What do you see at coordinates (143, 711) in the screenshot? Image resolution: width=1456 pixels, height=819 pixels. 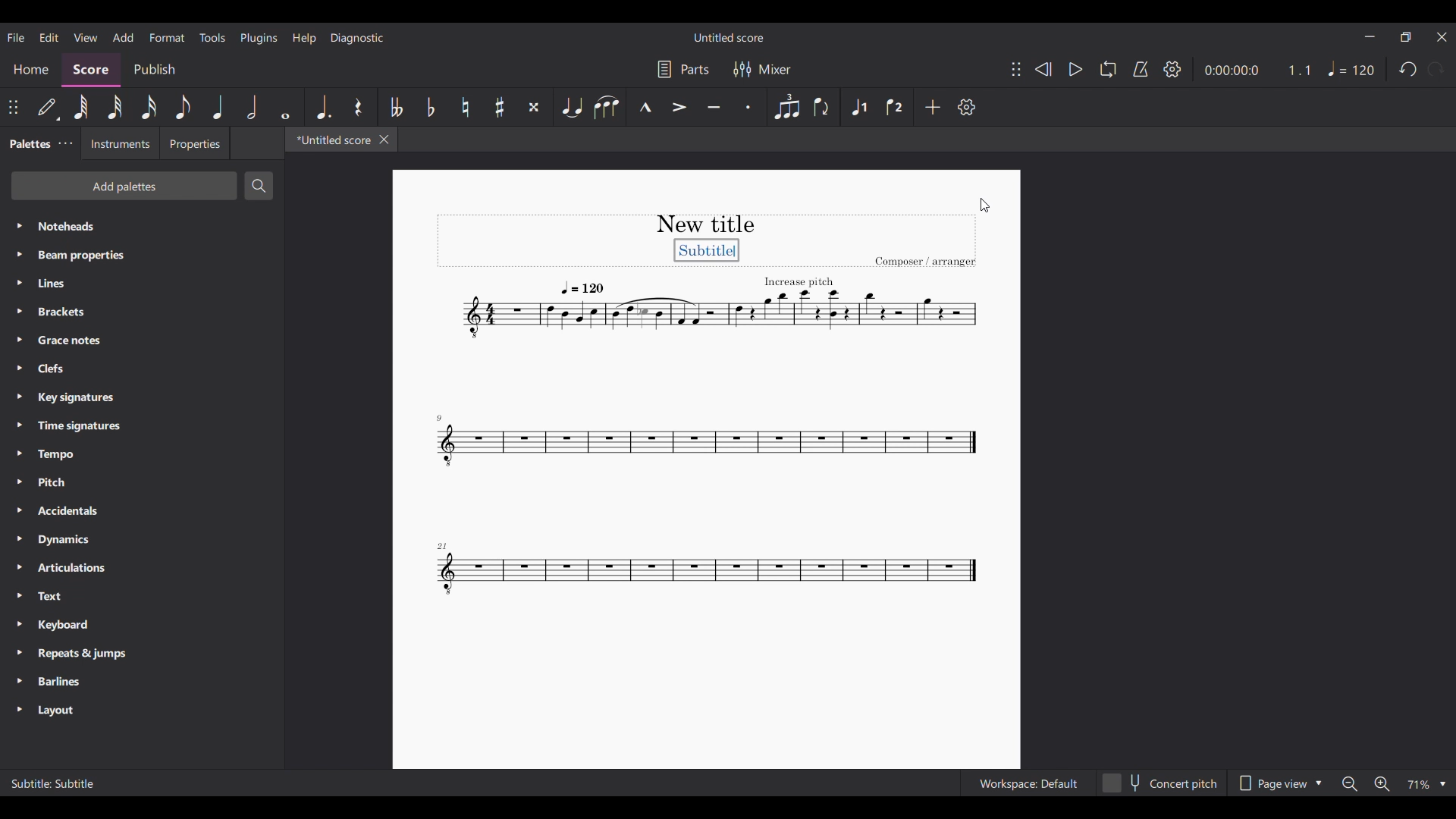 I see `Layout` at bounding box center [143, 711].